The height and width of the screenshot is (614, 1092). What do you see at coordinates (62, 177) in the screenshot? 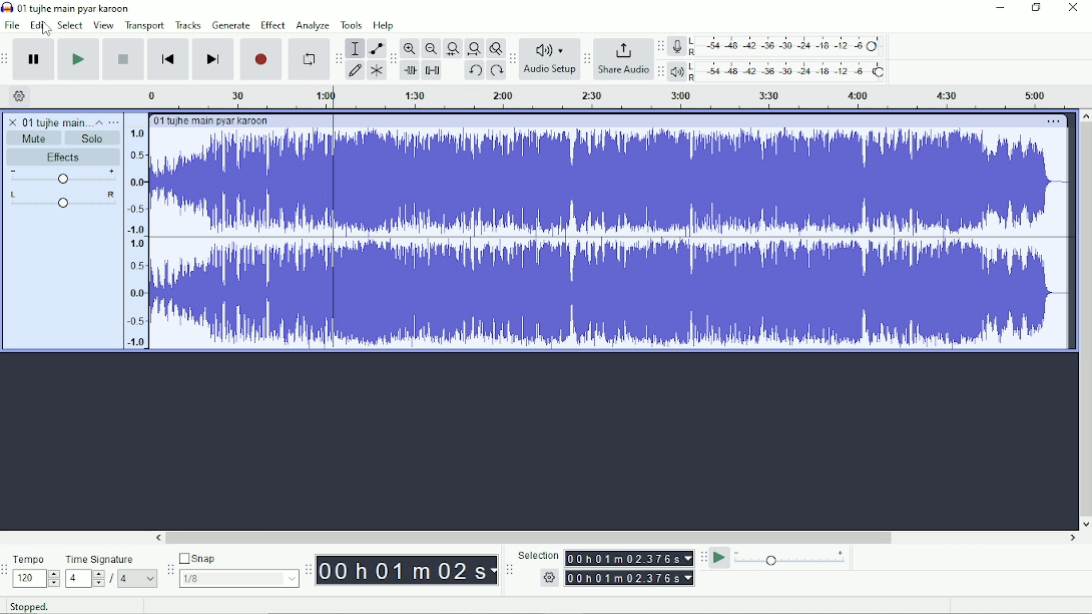
I see `Volume` at bounding box center [62, 177].